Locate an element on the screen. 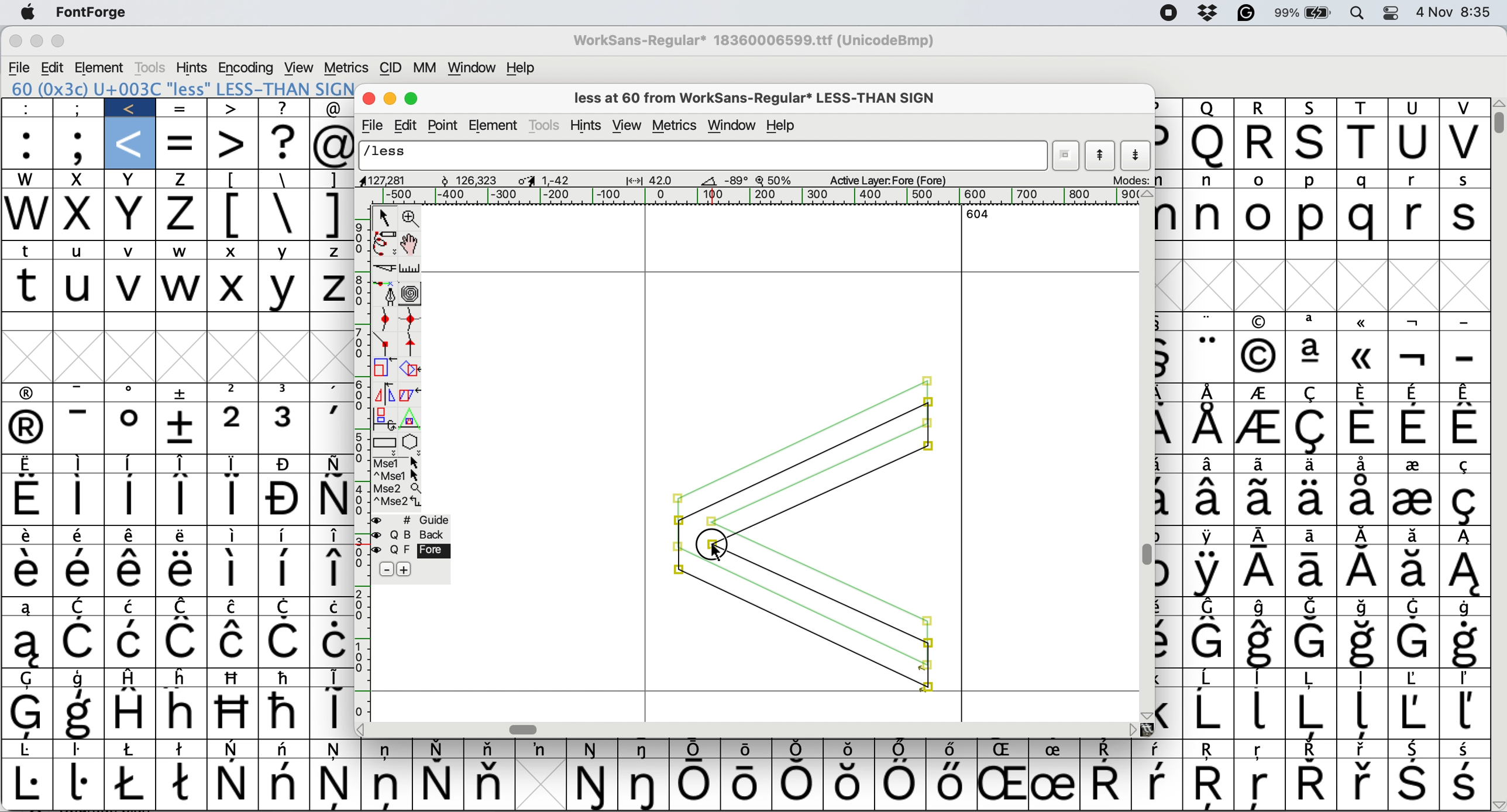 The width and height of the screenshot is (1507, 812). Symbol is located at coordinates (486, 783).